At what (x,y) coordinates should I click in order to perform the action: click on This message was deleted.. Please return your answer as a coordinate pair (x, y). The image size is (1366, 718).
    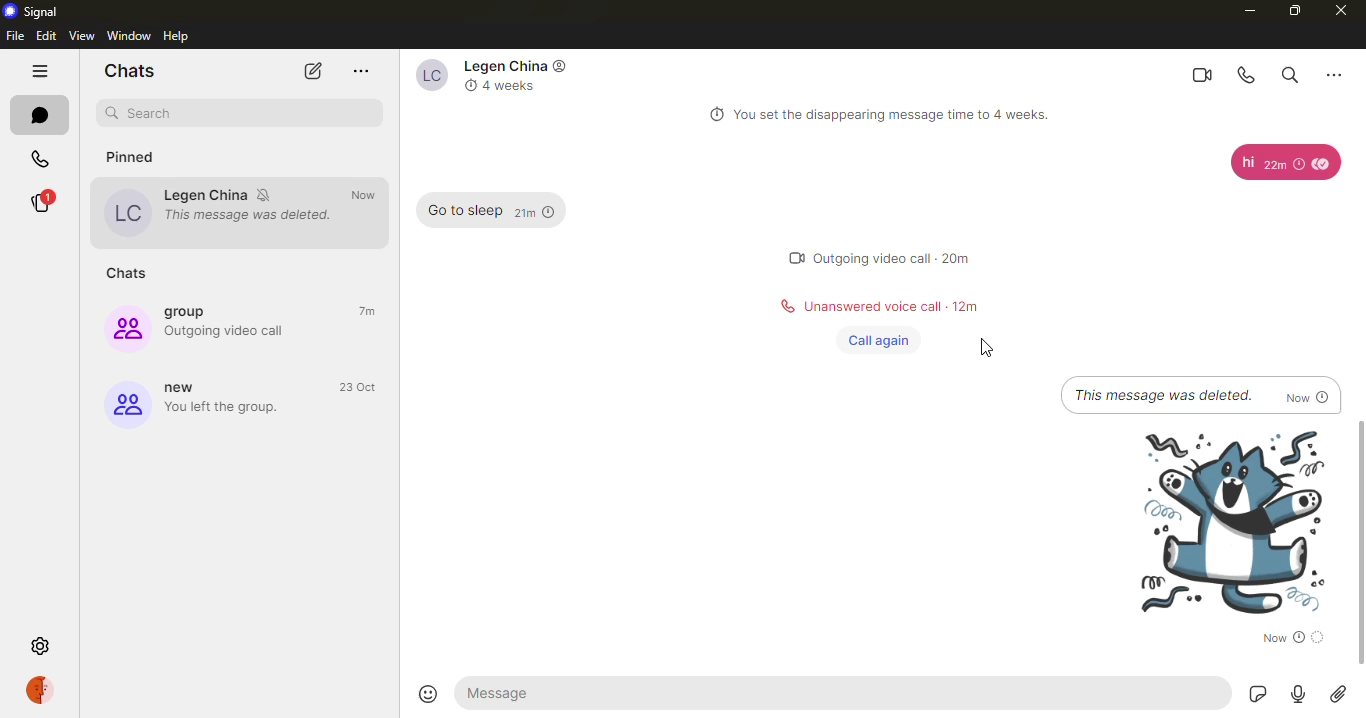
    Looking at the image, I should click on (252, 216).